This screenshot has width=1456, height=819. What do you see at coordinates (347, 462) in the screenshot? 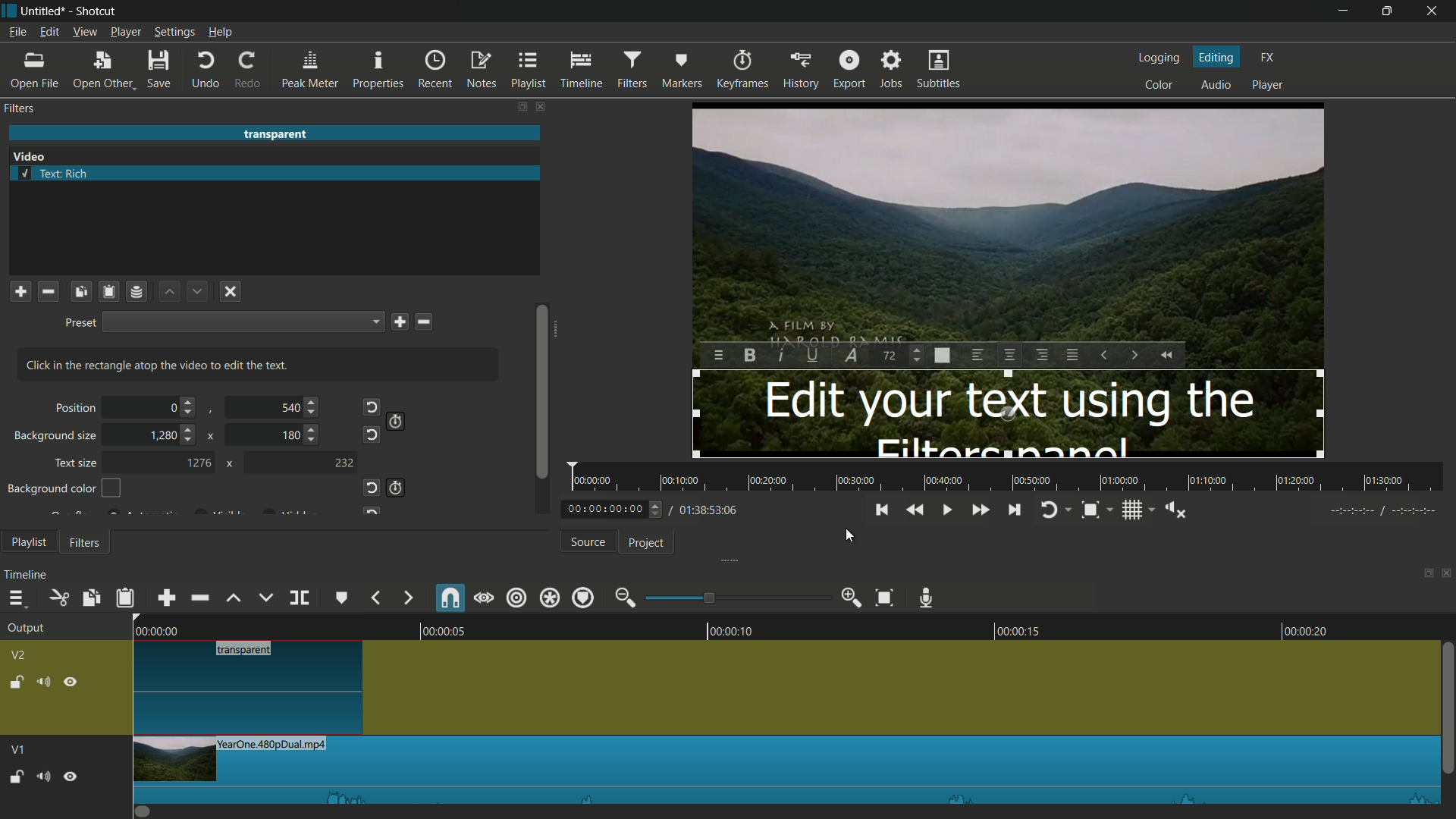
I see `232` at bounding box center [347, 462].